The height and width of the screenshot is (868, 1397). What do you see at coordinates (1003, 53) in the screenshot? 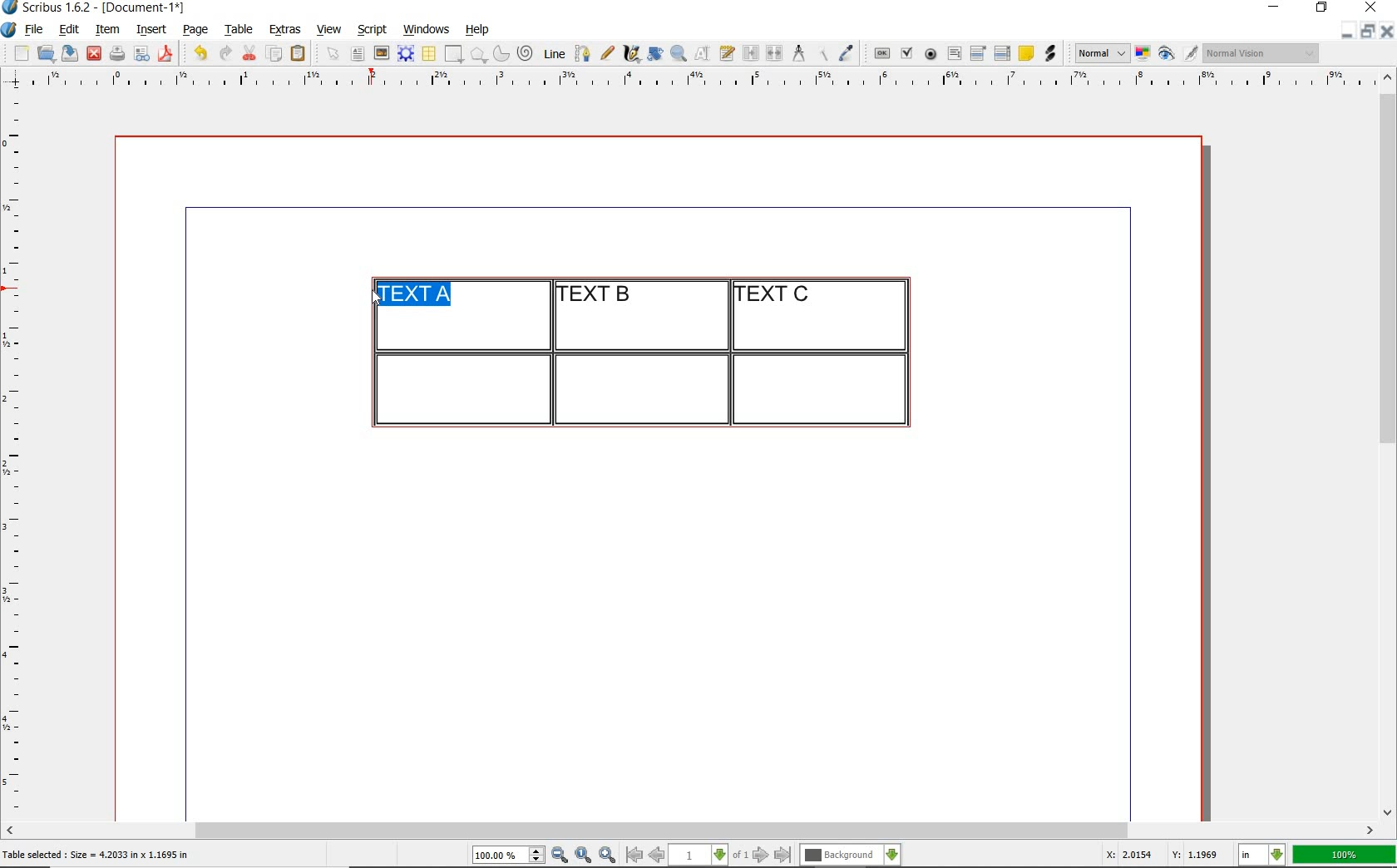
I see `pdf list box` at bounding box center [1003, 53].